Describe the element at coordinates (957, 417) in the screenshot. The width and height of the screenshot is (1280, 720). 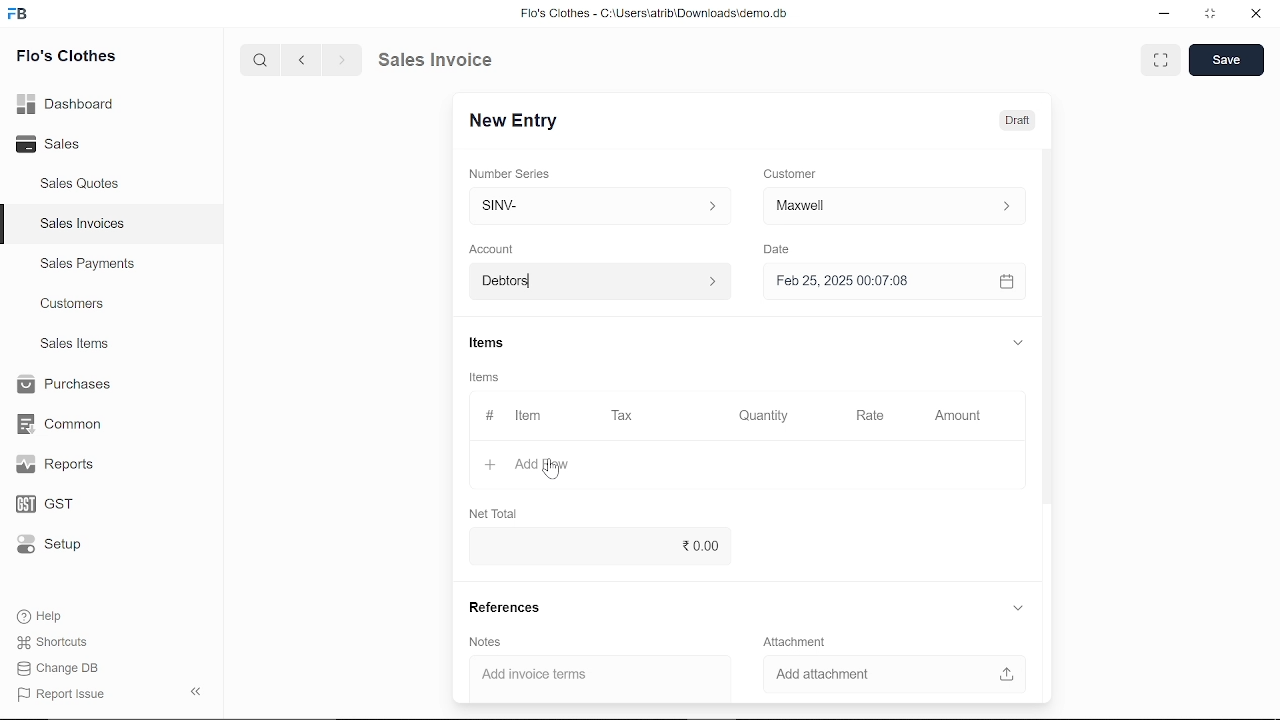
I see `Amount` at that location.